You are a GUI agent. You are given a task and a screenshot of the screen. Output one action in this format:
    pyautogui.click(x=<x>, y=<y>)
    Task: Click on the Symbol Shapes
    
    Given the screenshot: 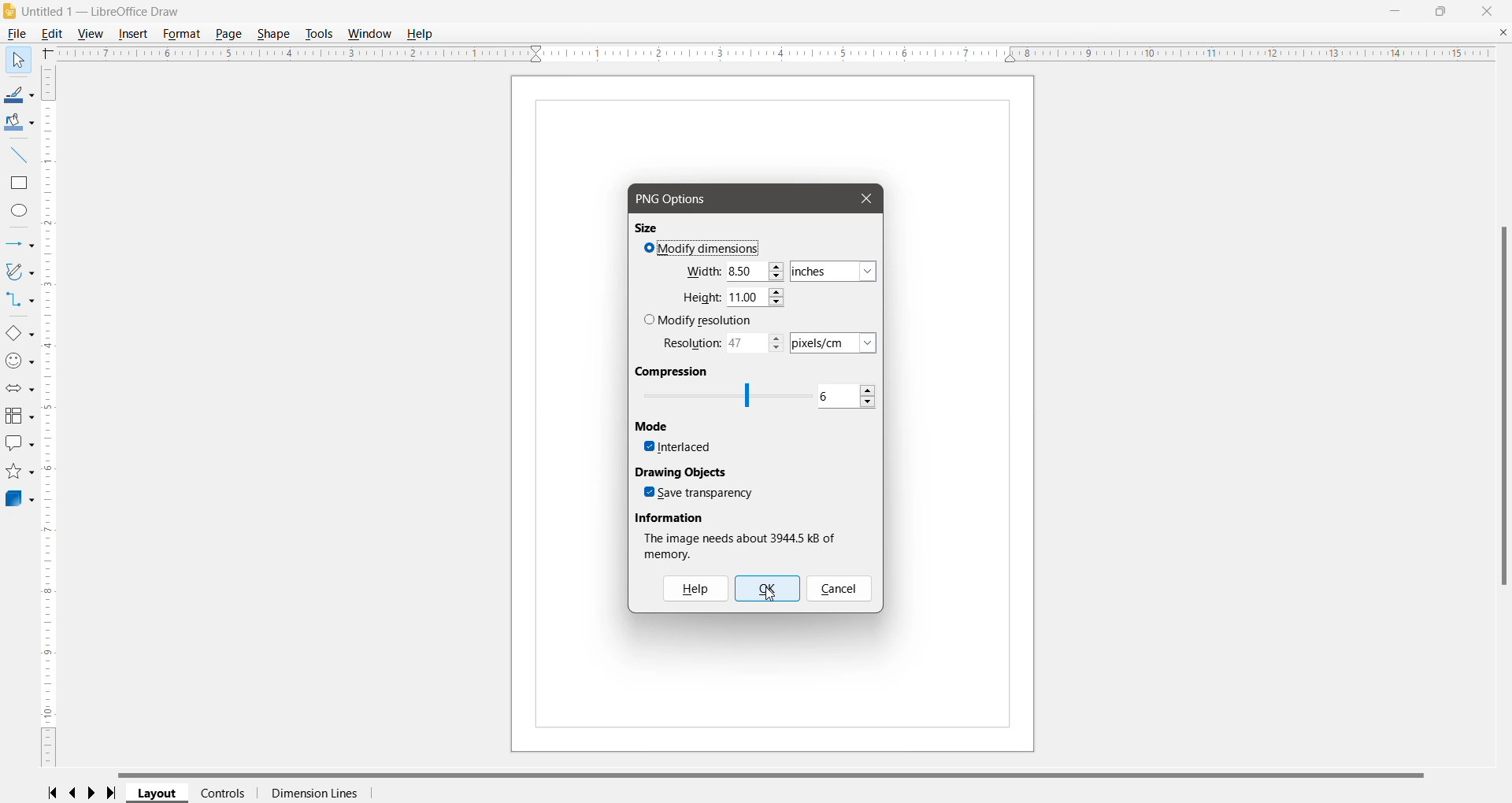 What is the action you would take?
    pyautogui.click(x=20, y=362)
    